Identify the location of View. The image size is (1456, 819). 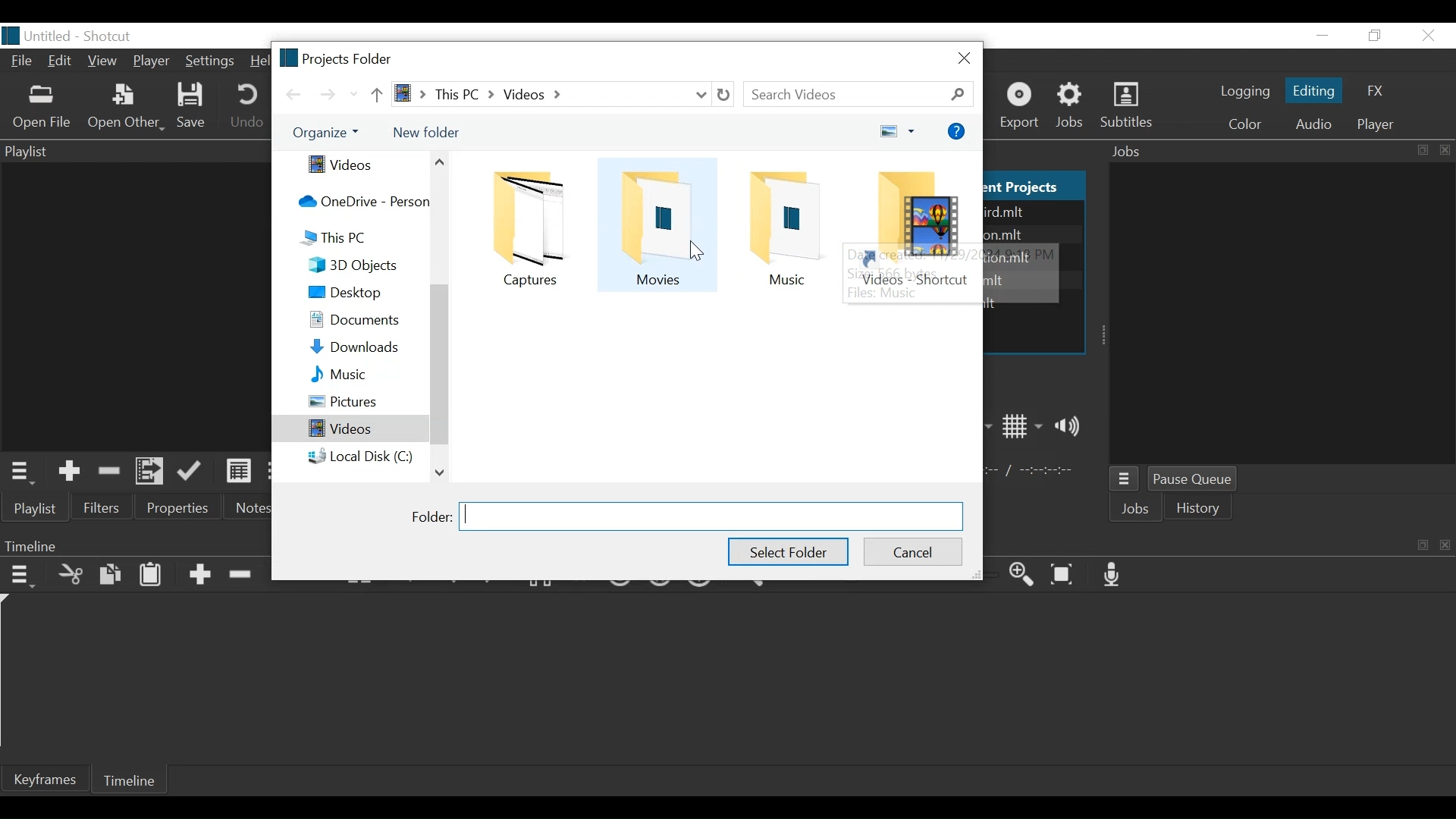
(103, 63).